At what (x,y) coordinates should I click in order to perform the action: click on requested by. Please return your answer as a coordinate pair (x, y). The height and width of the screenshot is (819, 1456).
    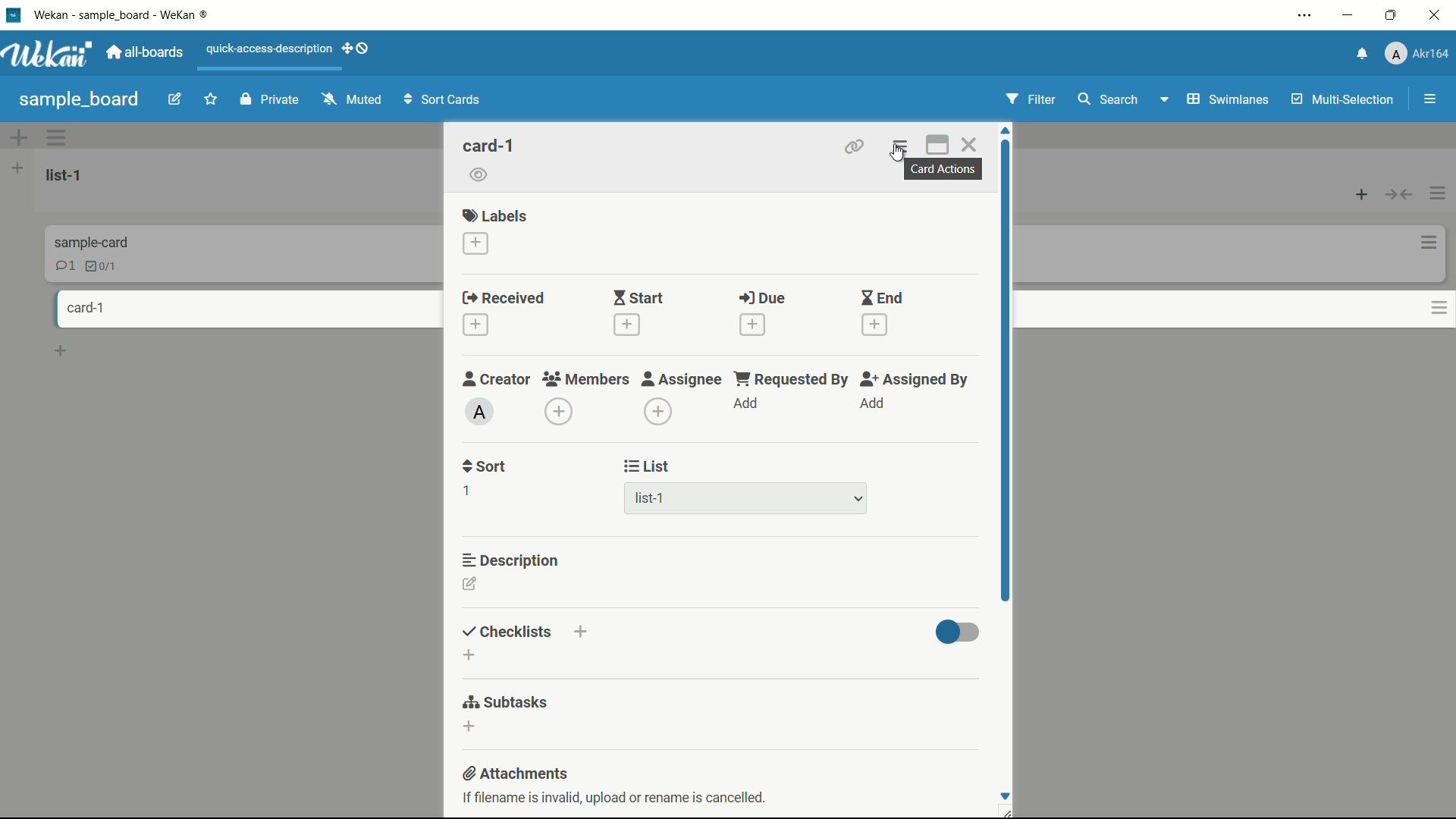
    Looking at the image, I should click on (790, 380).